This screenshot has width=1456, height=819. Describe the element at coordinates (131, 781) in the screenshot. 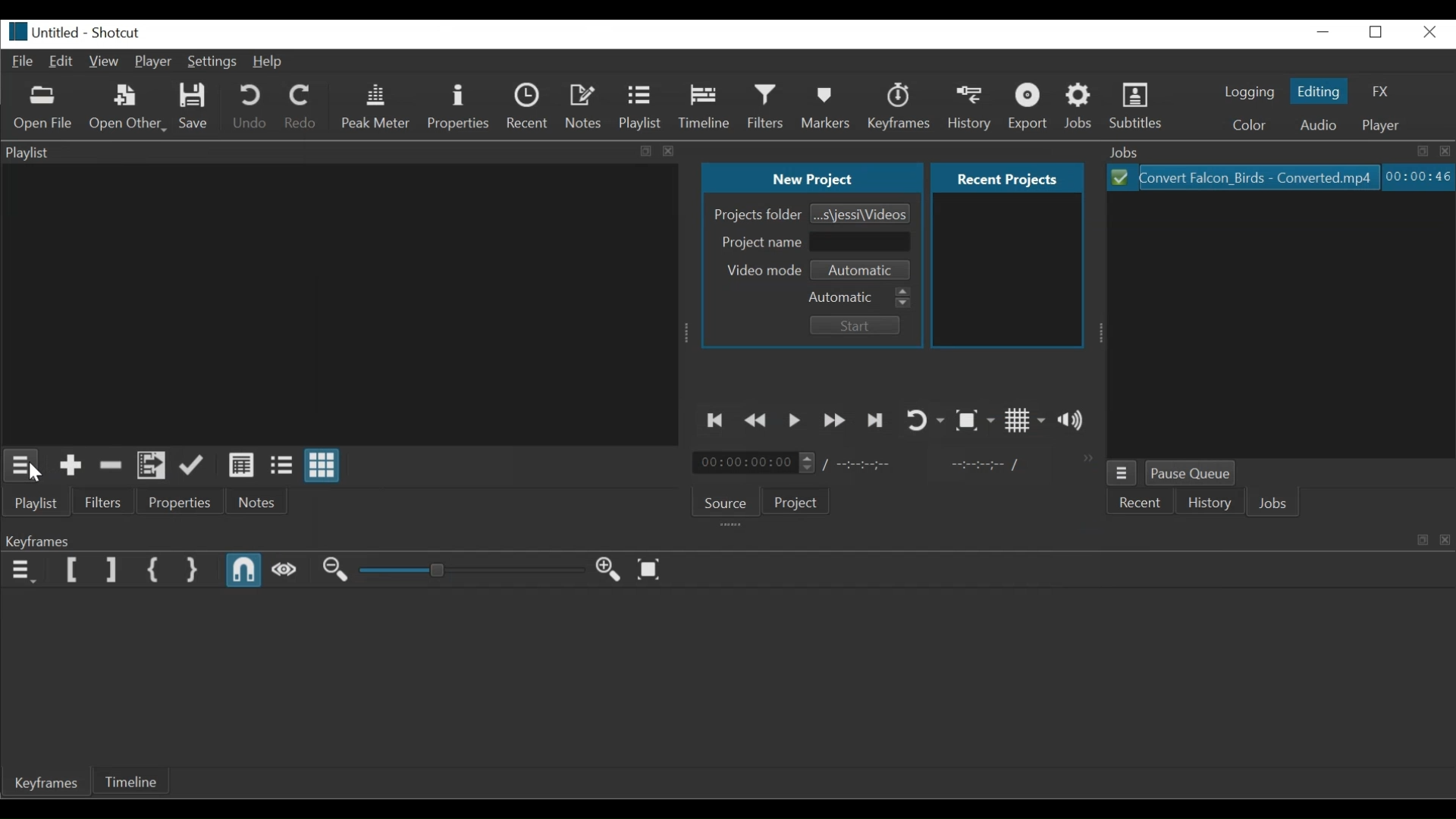

I see `Timeline` at that location.